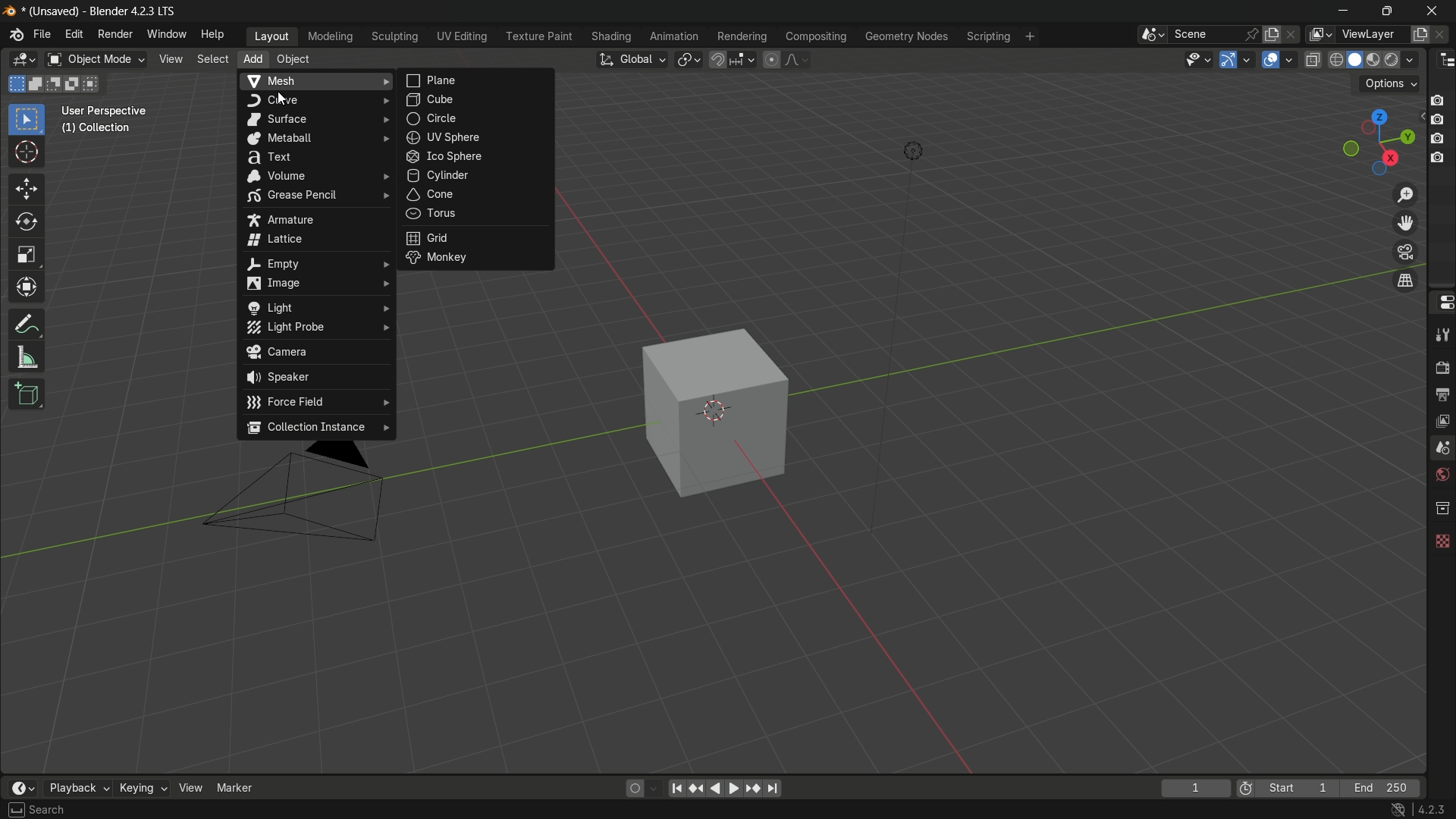 The width and height of the screenshot is (1456, 819). I want to click on new selection, so click(17, 84).